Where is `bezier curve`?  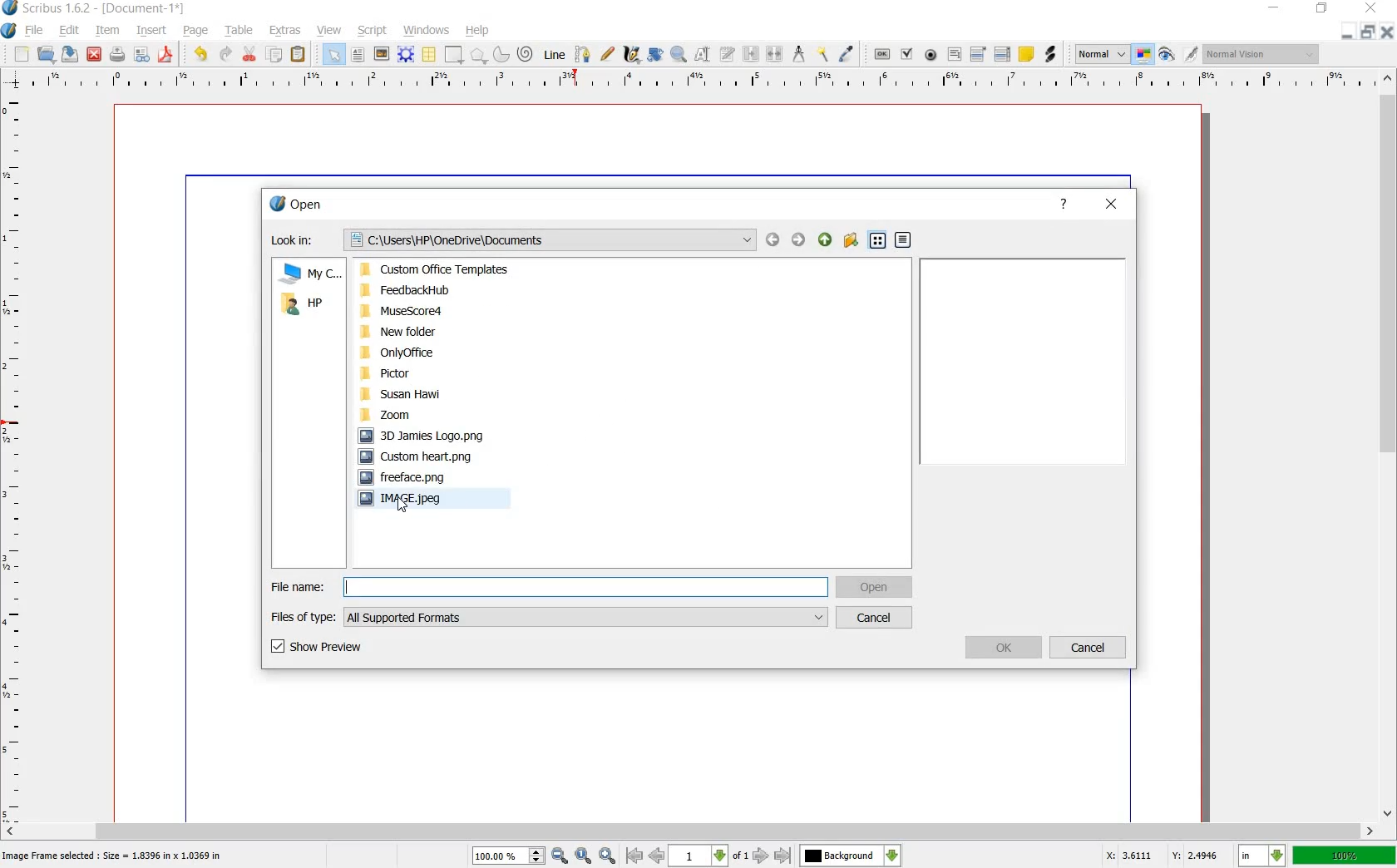 bezier curve is located at coordinates (580, 55).